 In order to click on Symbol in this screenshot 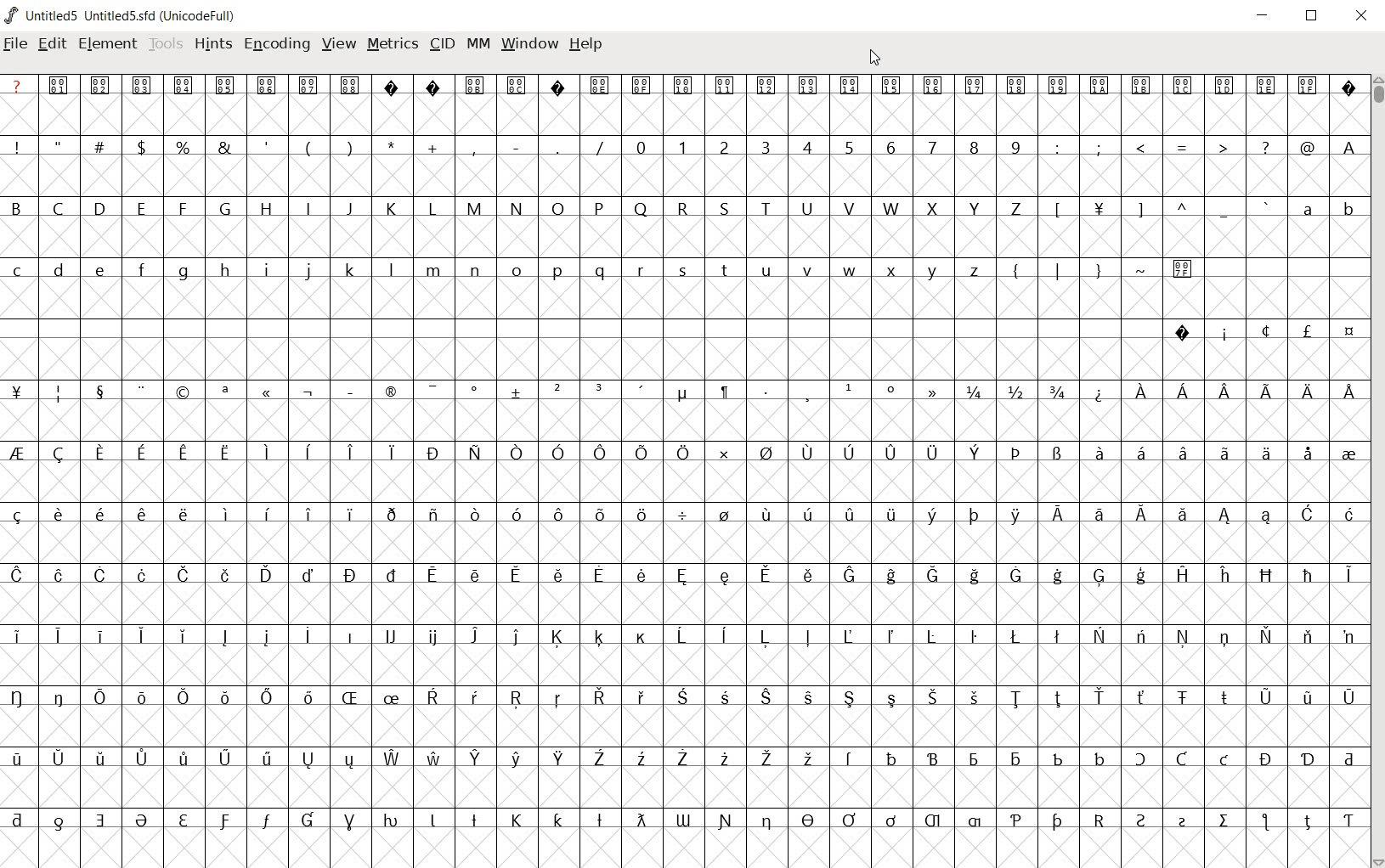, I will do `click(390, 453)`.